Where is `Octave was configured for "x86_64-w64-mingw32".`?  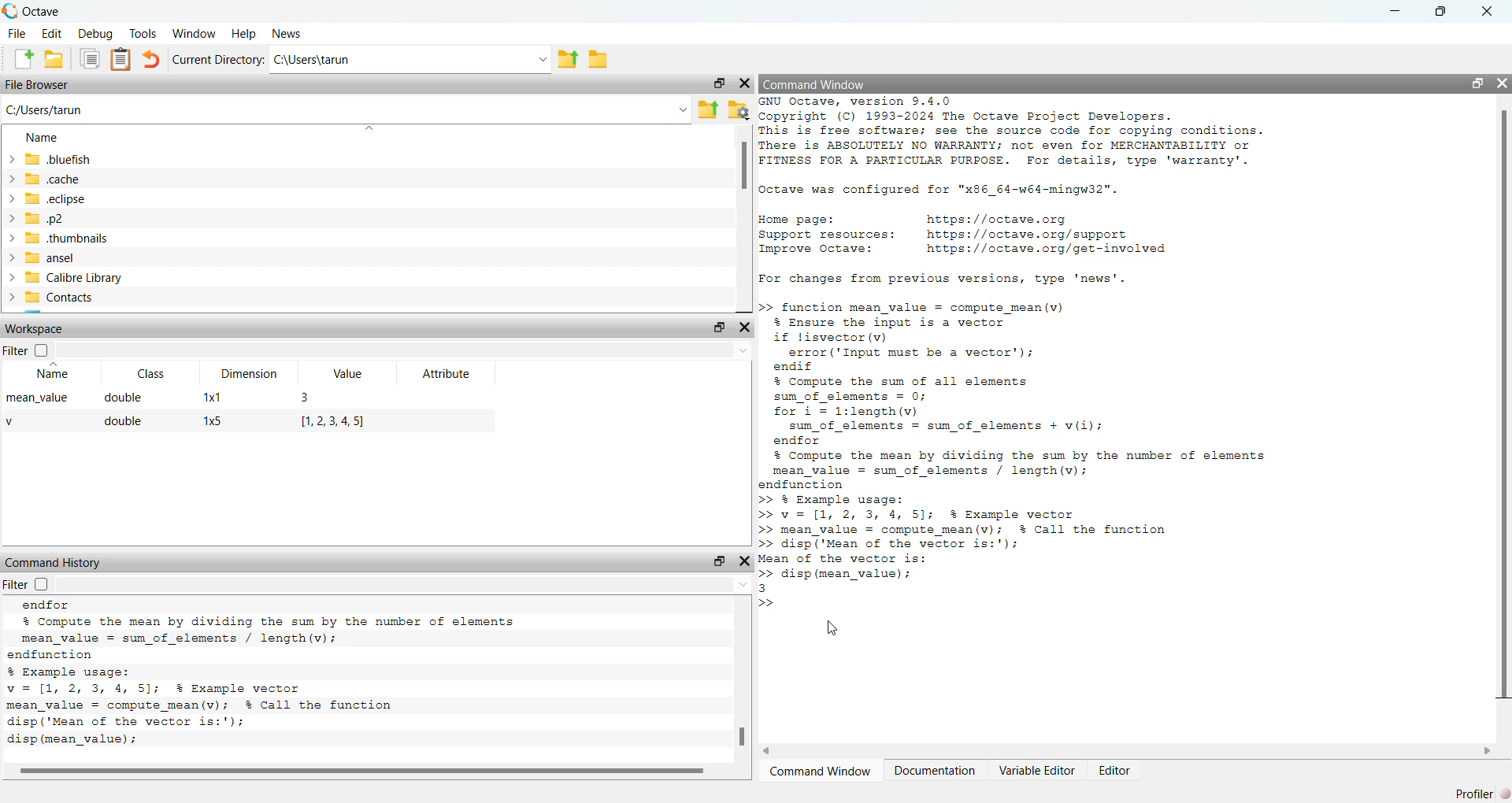 Octave was configured for "x86_64-w64-mingw32". is located at coordinates (940, 191).